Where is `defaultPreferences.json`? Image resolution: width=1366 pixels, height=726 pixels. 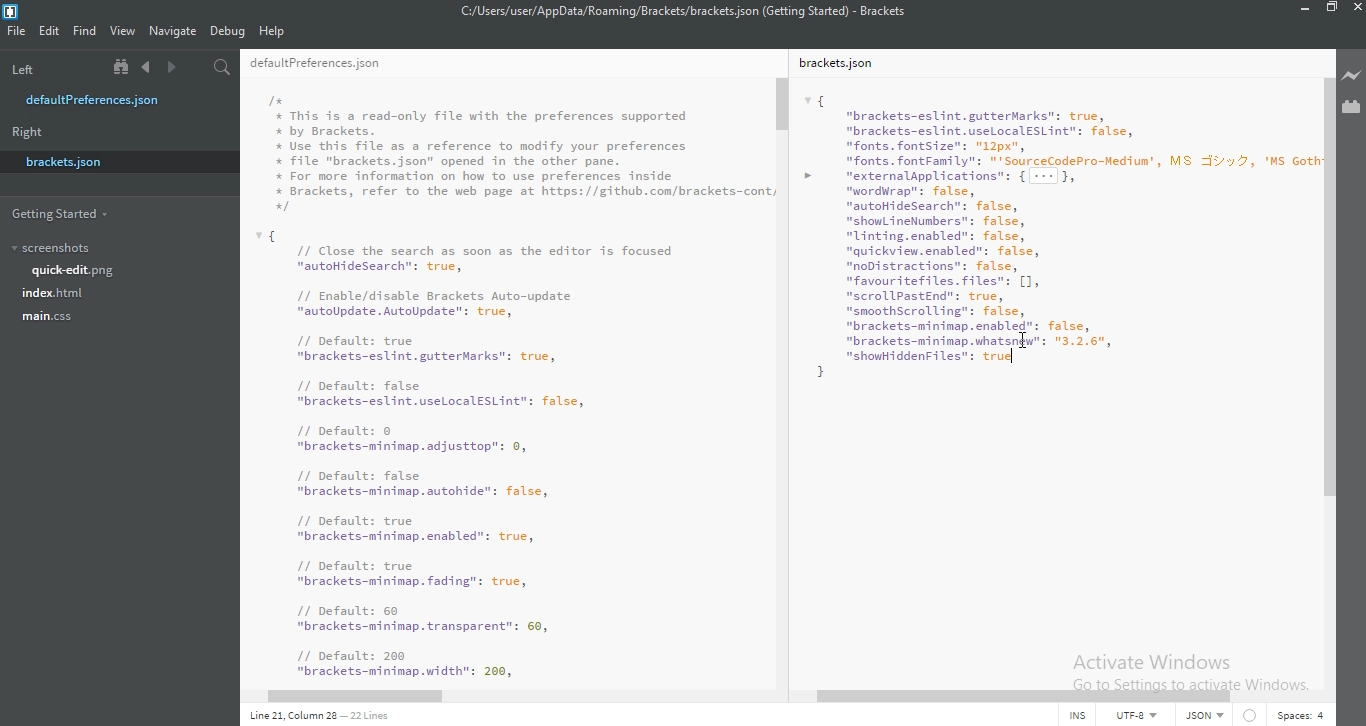
defaultPreferences.json is located at coordinates (103, 100).